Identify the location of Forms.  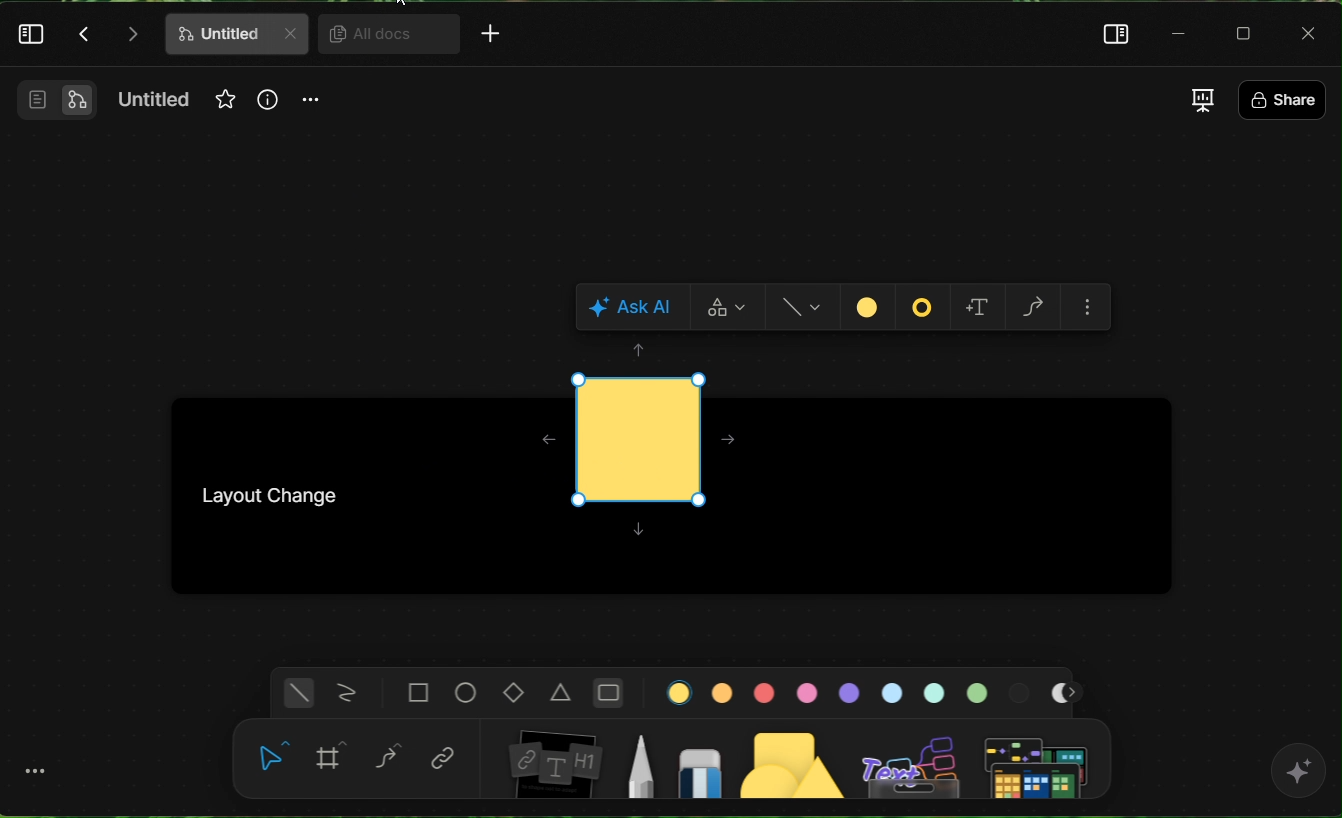
(1031, 308).